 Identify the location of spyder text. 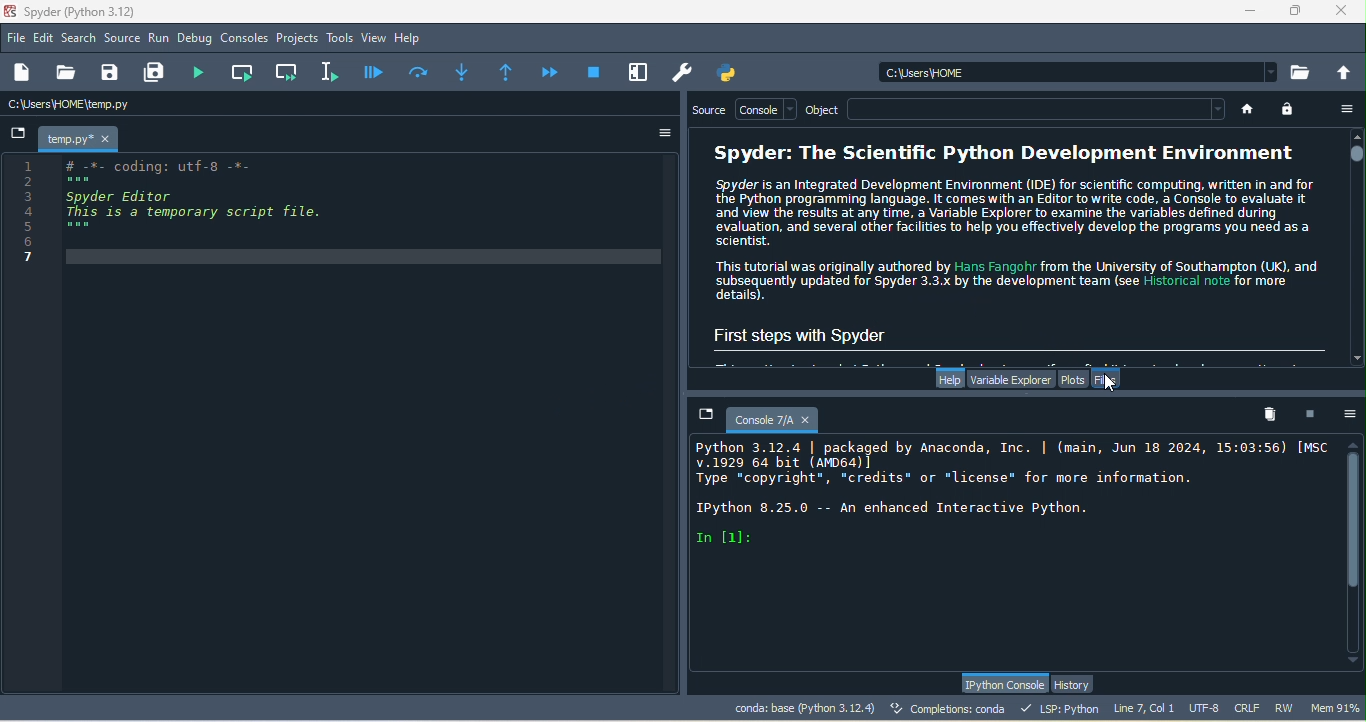
(1011, 240).